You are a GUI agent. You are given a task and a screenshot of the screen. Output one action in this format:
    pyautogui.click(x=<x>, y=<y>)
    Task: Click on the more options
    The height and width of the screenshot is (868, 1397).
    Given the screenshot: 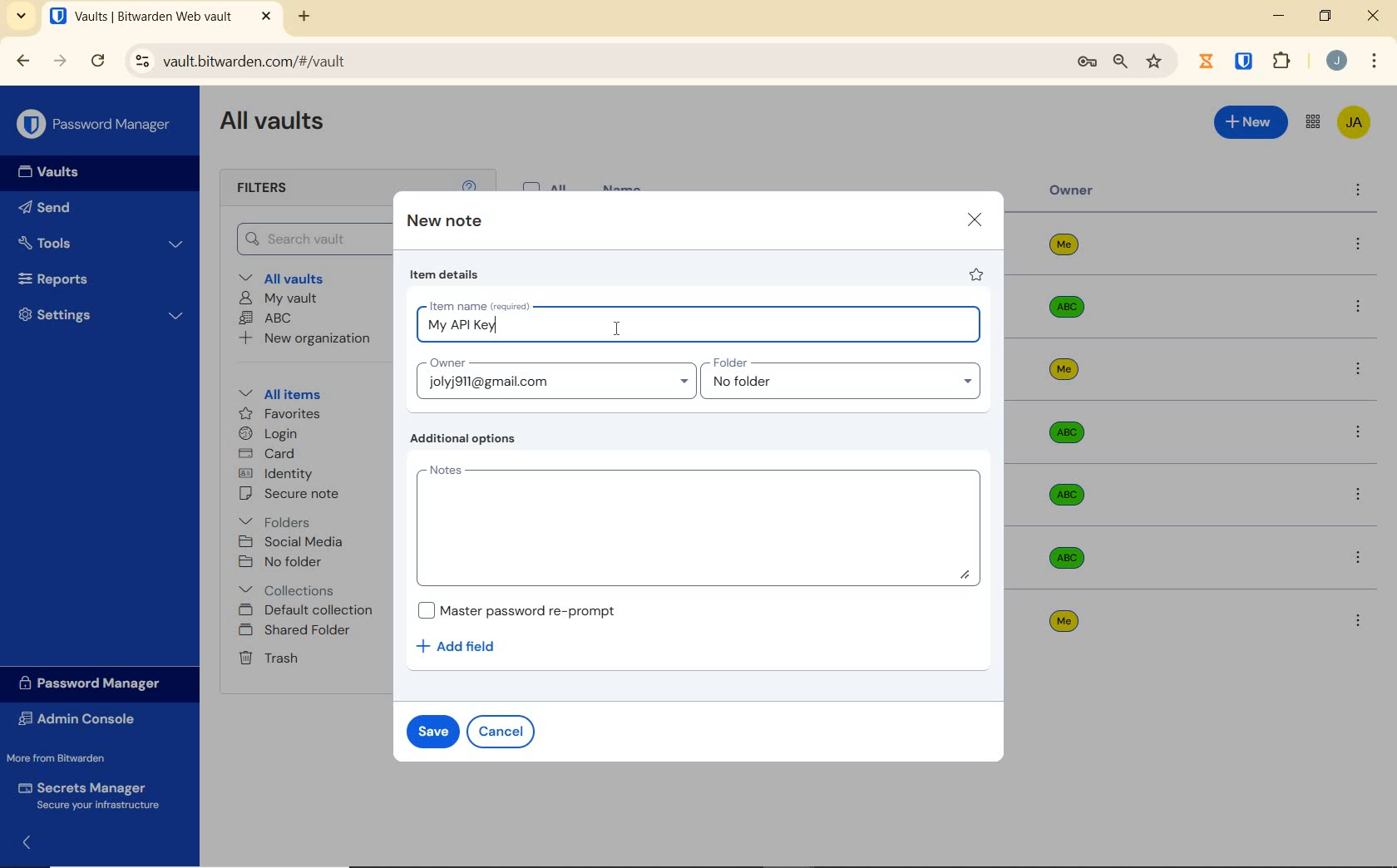 What is the action you would take?
    pyautogui.click(x=1360, y=495)
    